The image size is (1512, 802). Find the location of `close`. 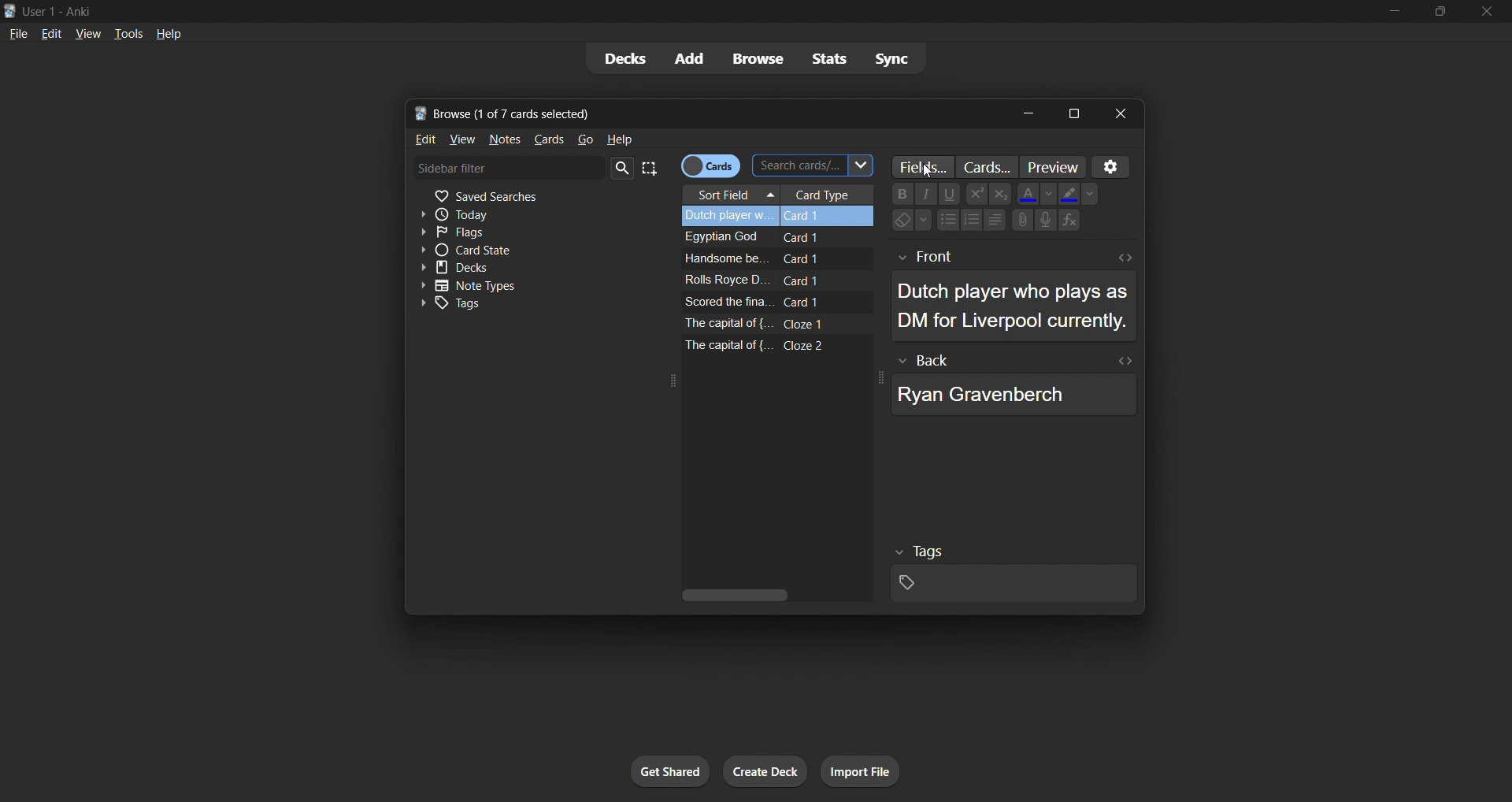

close is located at coordinates (1121, 113).